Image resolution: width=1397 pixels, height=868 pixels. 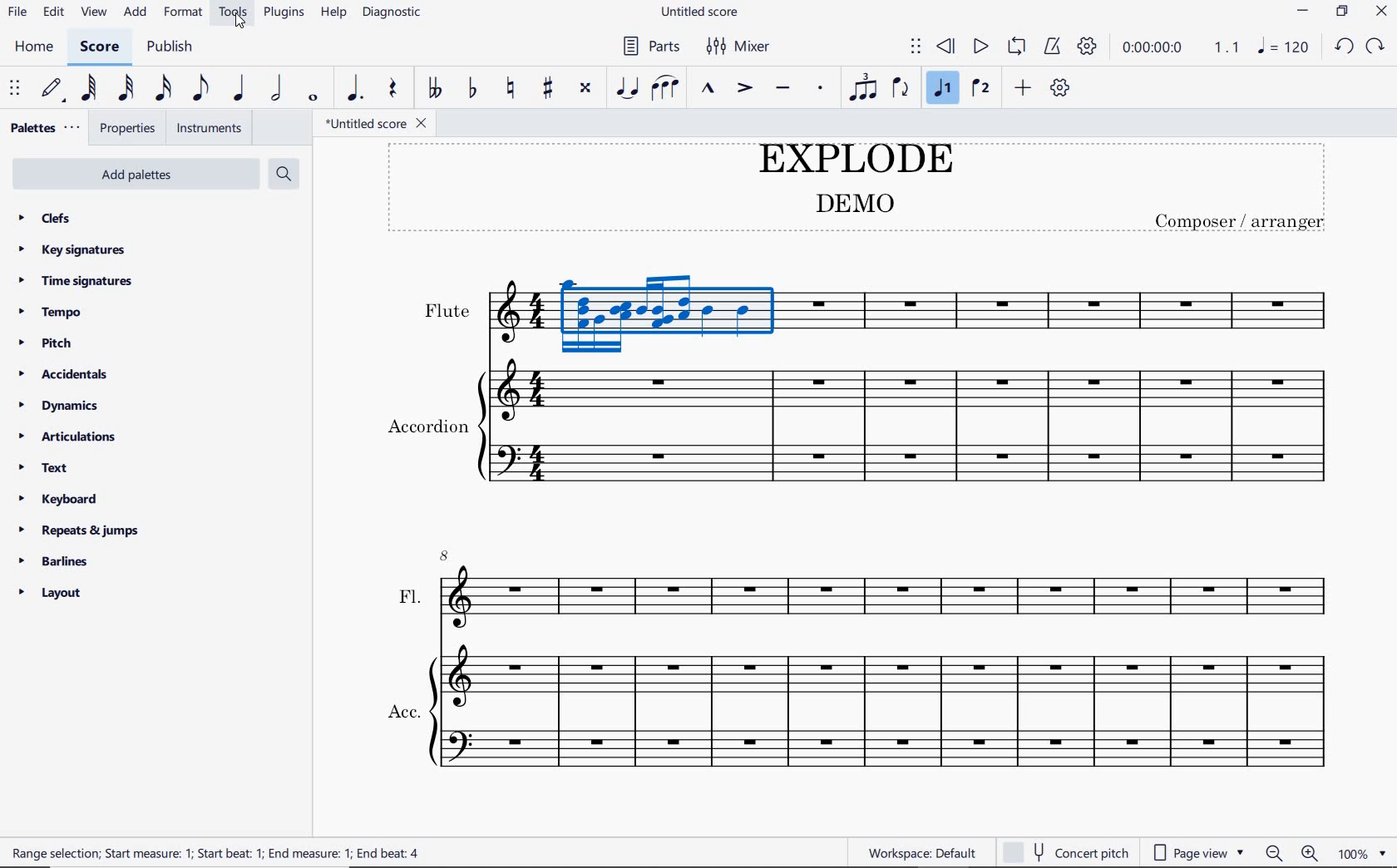 What do you see at coordinates (549, 89) in the screenshot?
I see `toggle sharp` at bounding box center [549, 89].